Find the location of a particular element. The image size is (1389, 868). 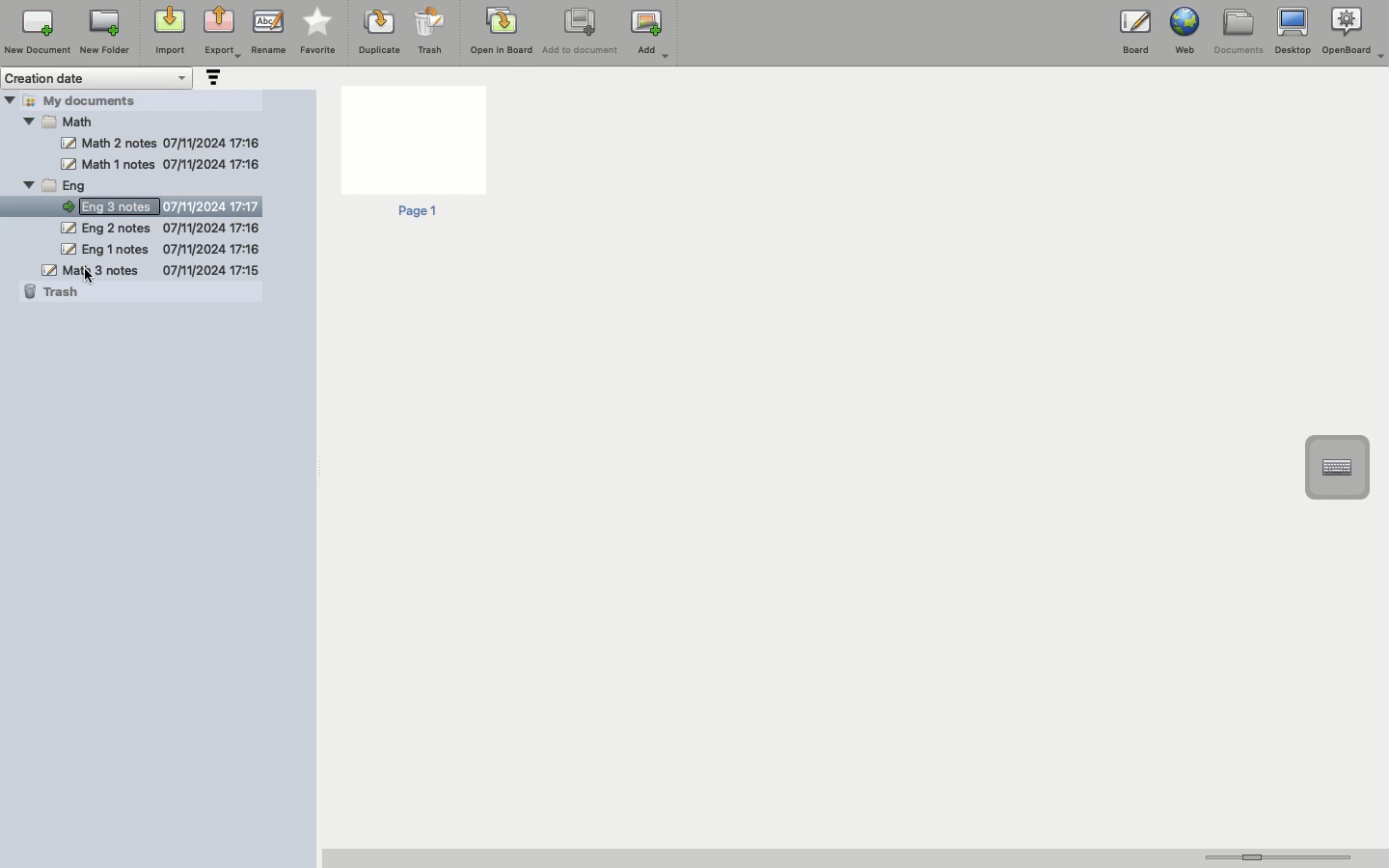

Import is located at coordinates (168, 32).